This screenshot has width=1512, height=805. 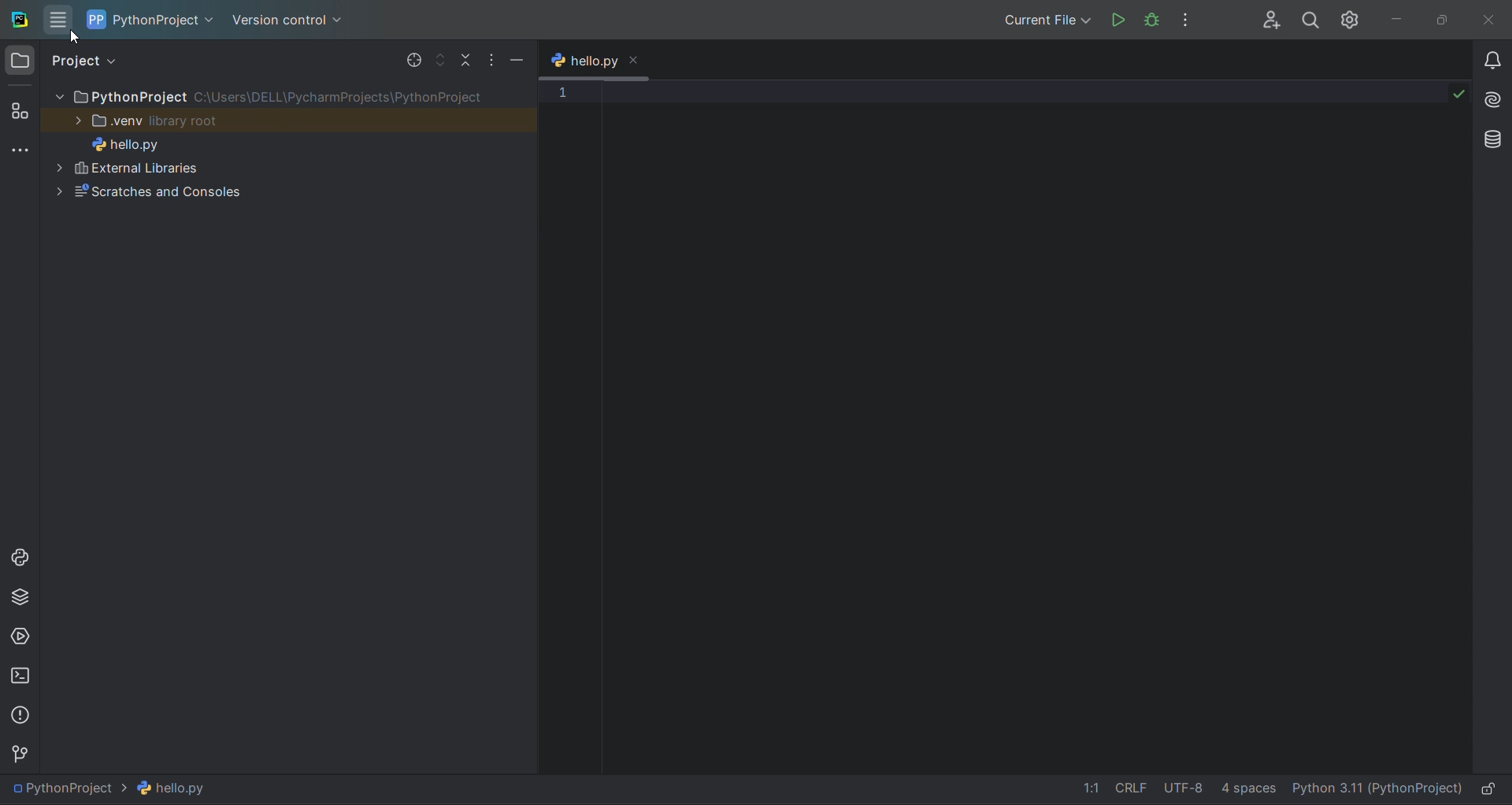 What do you see at coordinates (1353, 20) in the screenshot?
I see `settings` at bounding box center [1353, 20].